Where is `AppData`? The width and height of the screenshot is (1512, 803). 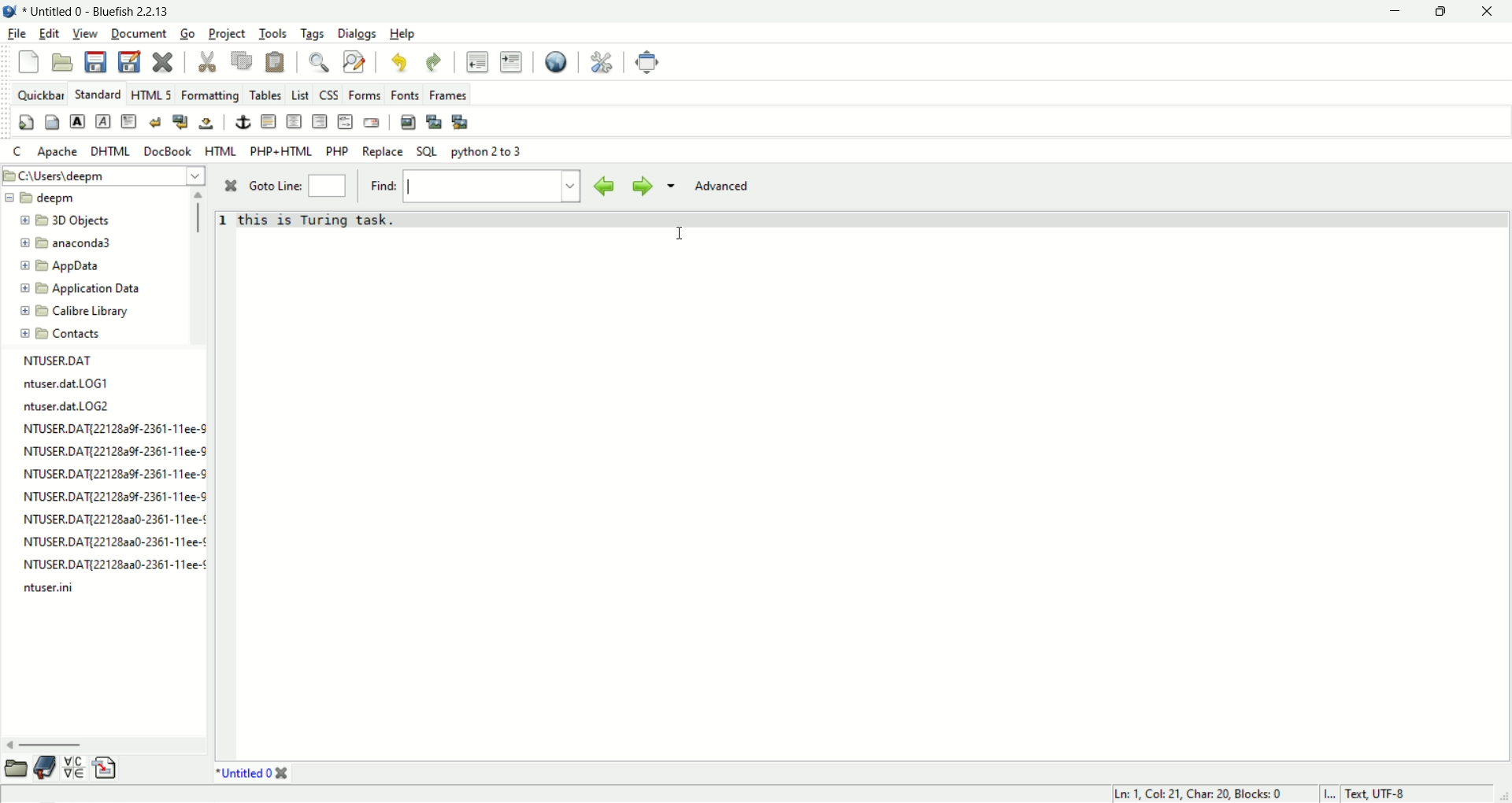 AppData is located at coordinates (69, 267).